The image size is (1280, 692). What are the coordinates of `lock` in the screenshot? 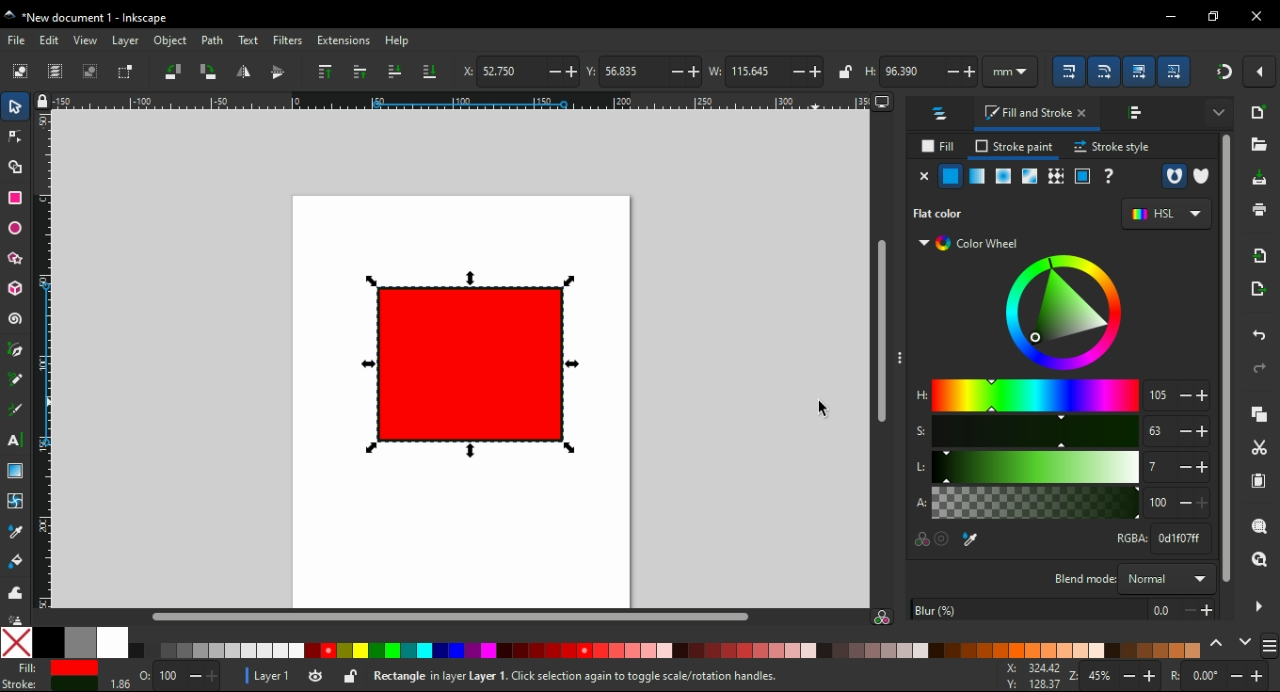 It's located at (350, 676).